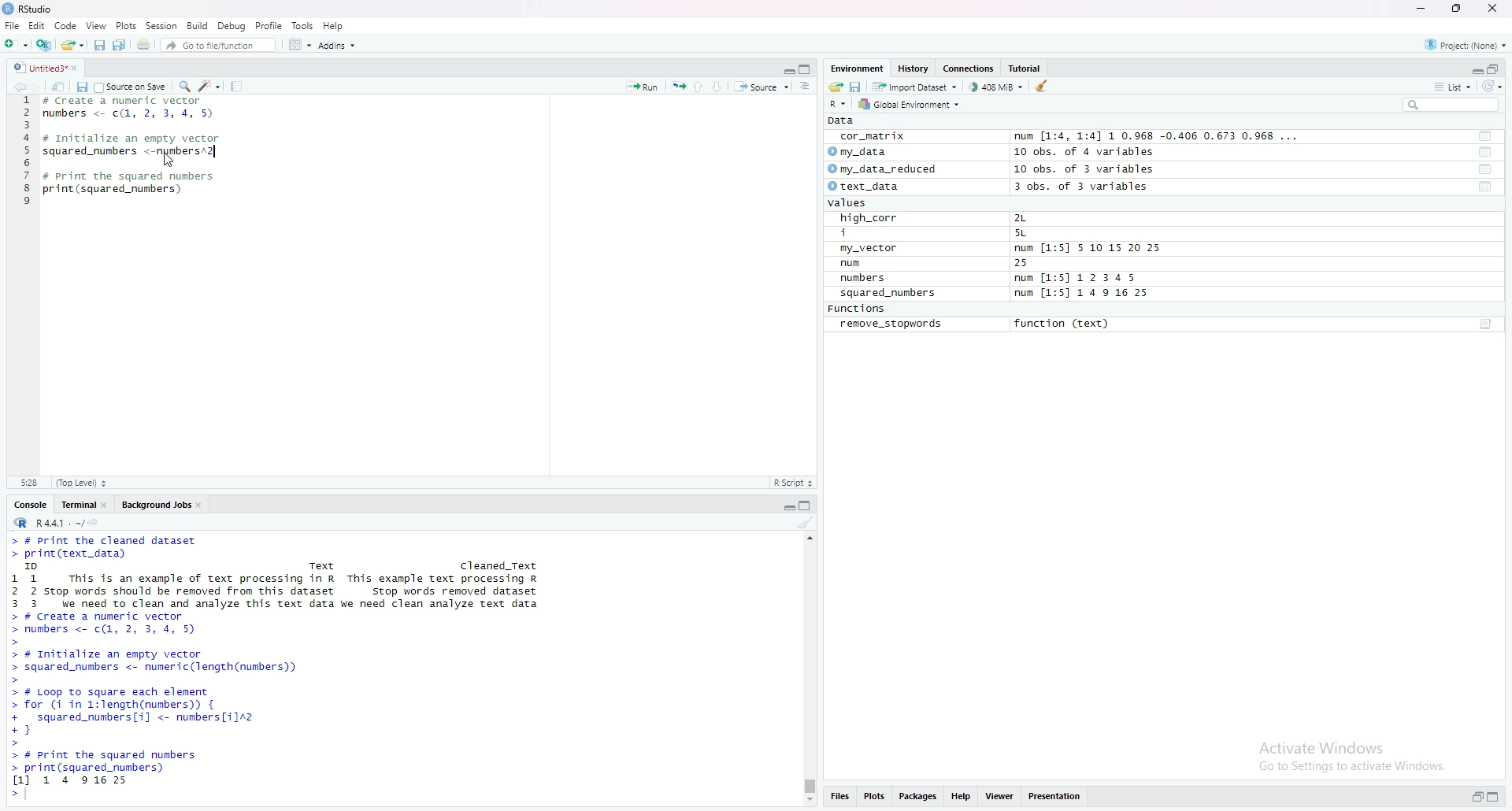 This screenshot has width=1512, height=811. I want to click on RStudio, so click(30, 9).